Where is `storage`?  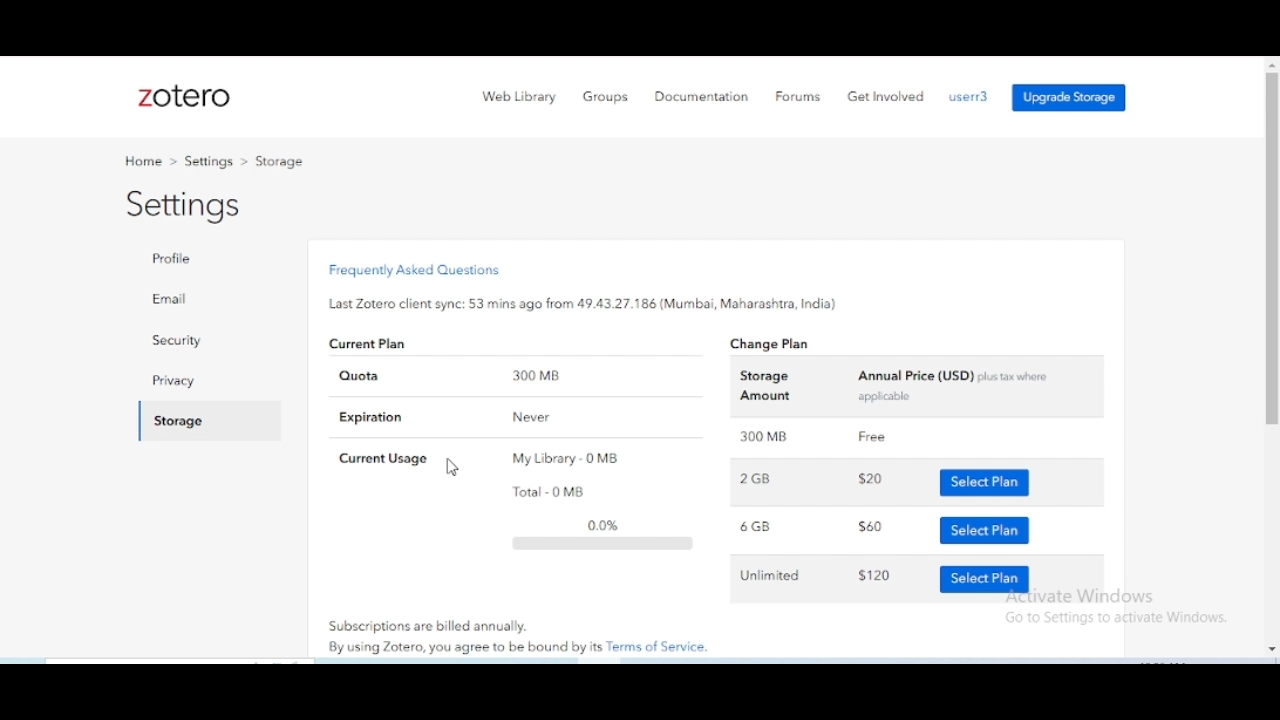 storage is located at coordinates (174, 421).